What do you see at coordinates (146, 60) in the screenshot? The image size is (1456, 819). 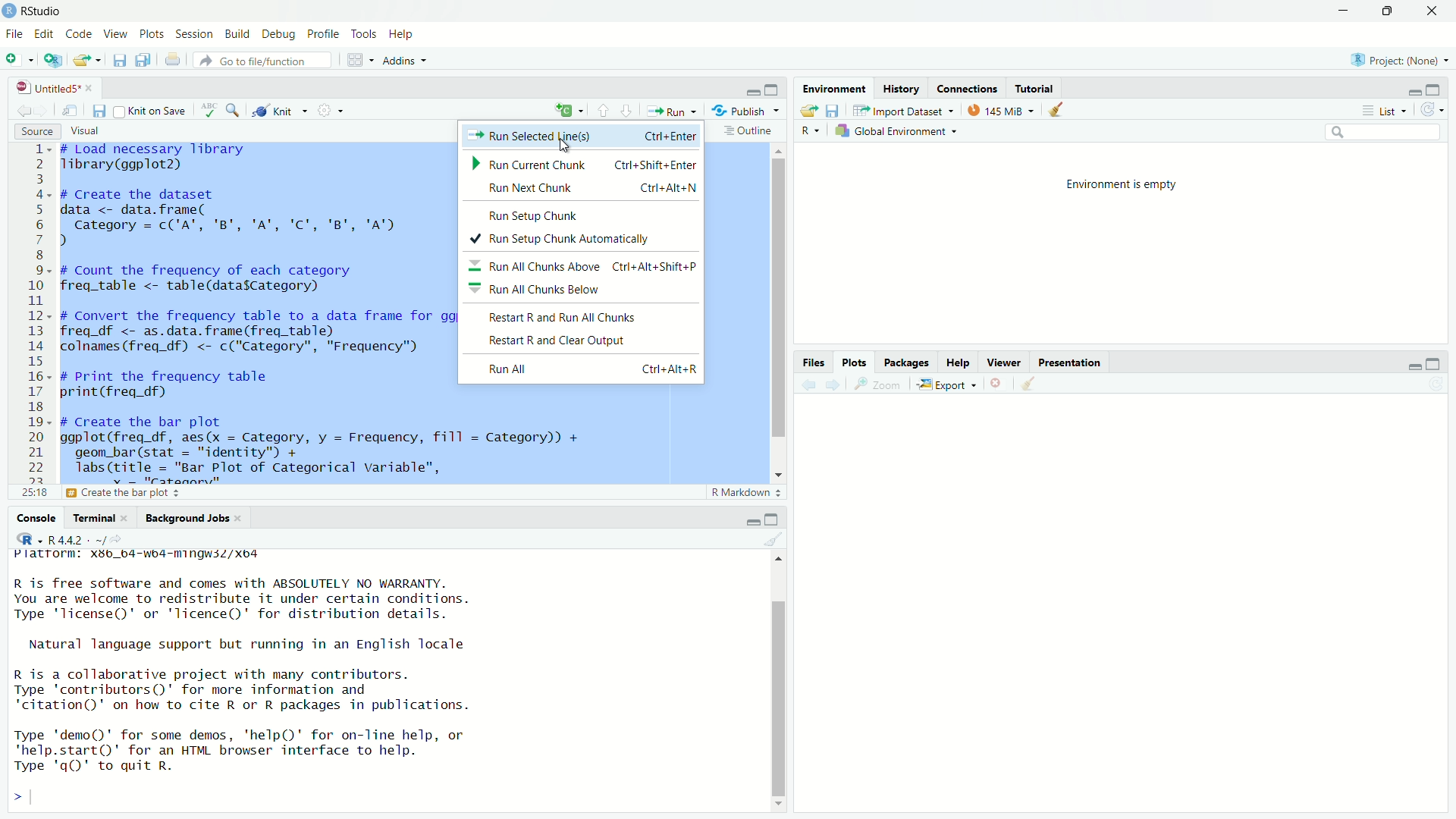 I see `save all` at bounding box center [146, 60].